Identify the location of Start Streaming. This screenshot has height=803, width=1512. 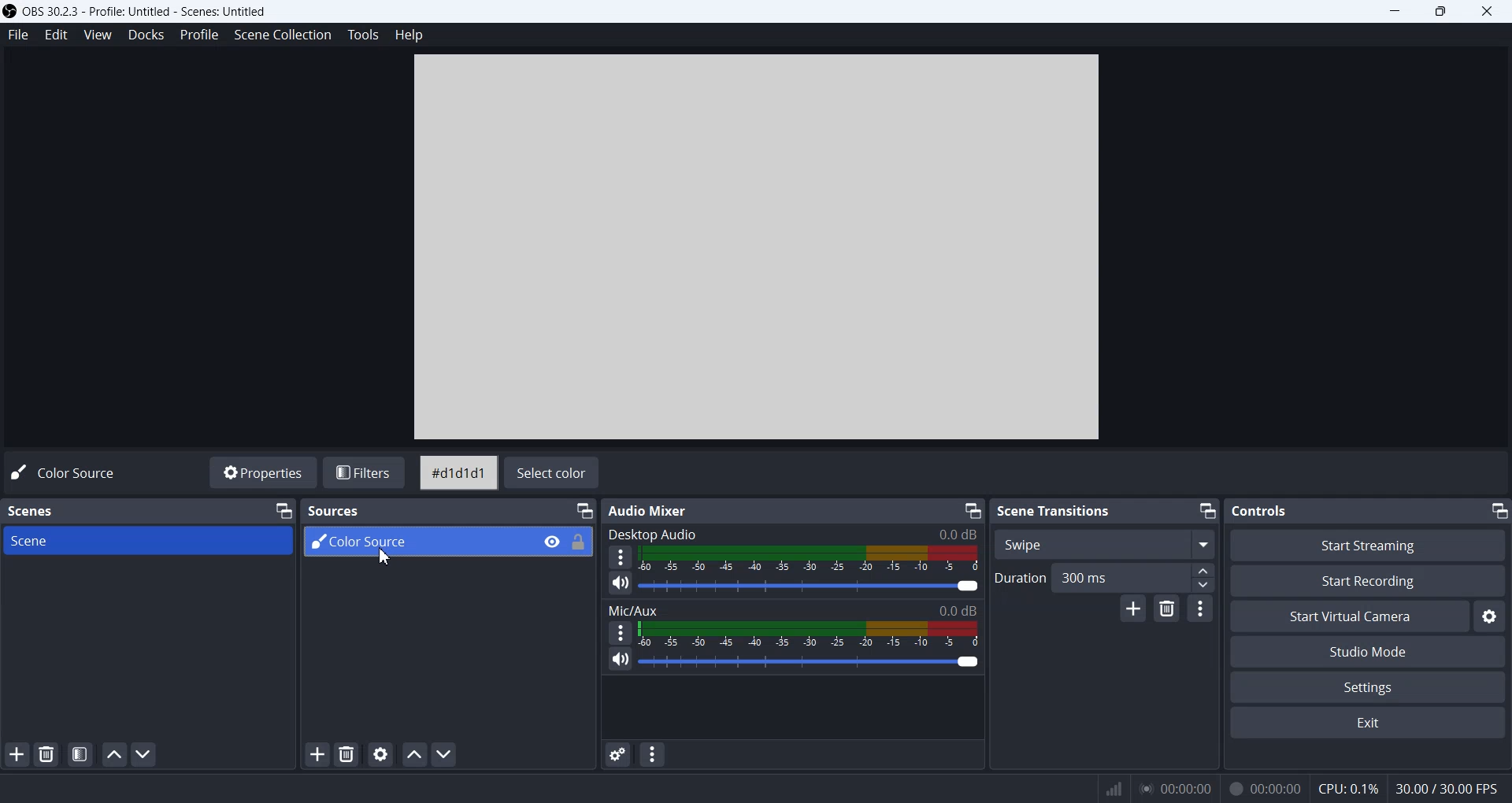
(1367, 545).